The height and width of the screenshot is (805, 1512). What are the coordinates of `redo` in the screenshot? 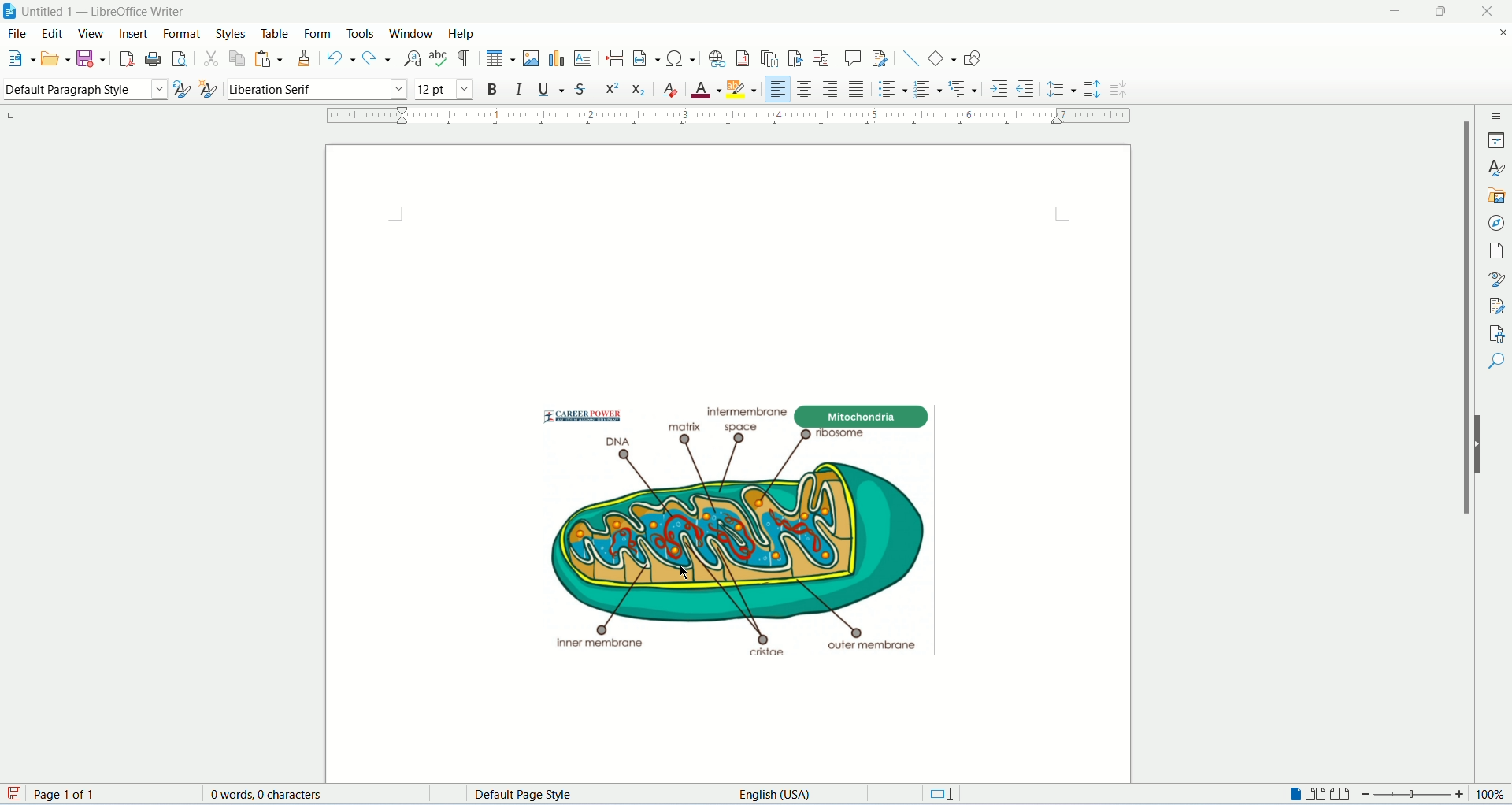 It's located at (378, 57).